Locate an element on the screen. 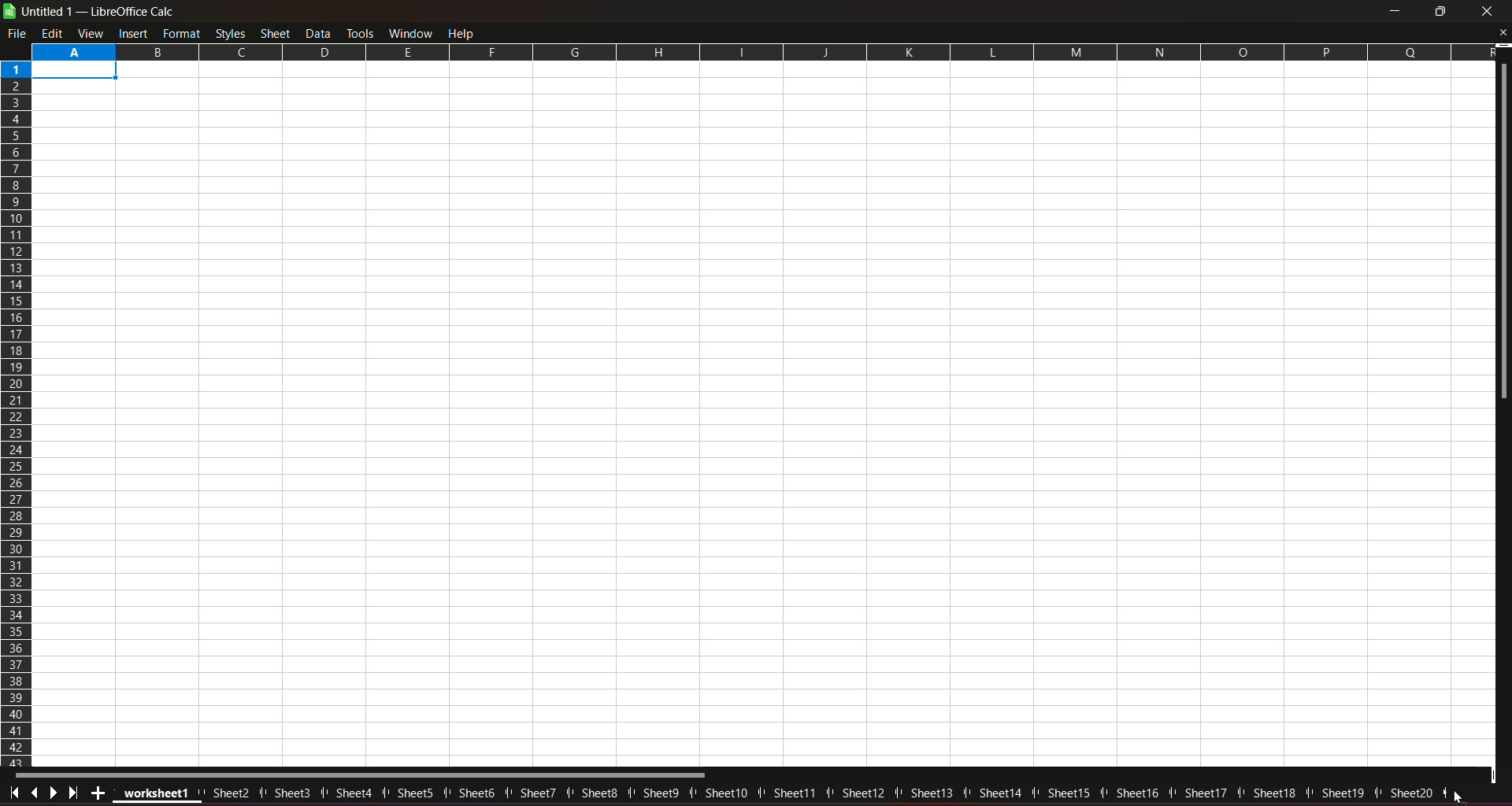 This screenshot has width=1512, height=806. Last sheet is located at coordinates (76, 793).